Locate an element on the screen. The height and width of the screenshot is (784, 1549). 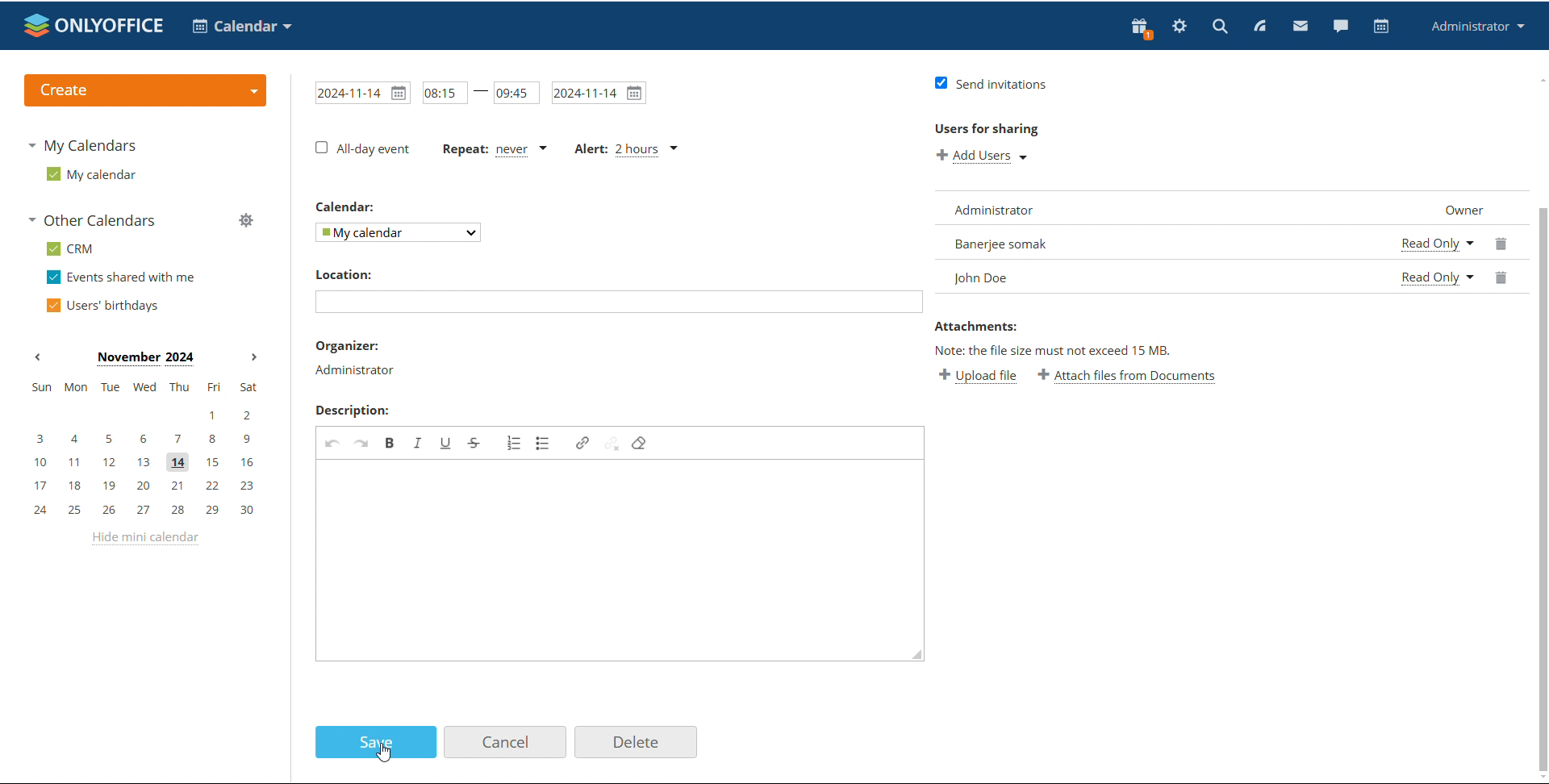
link is located at coordinates (582, 443).